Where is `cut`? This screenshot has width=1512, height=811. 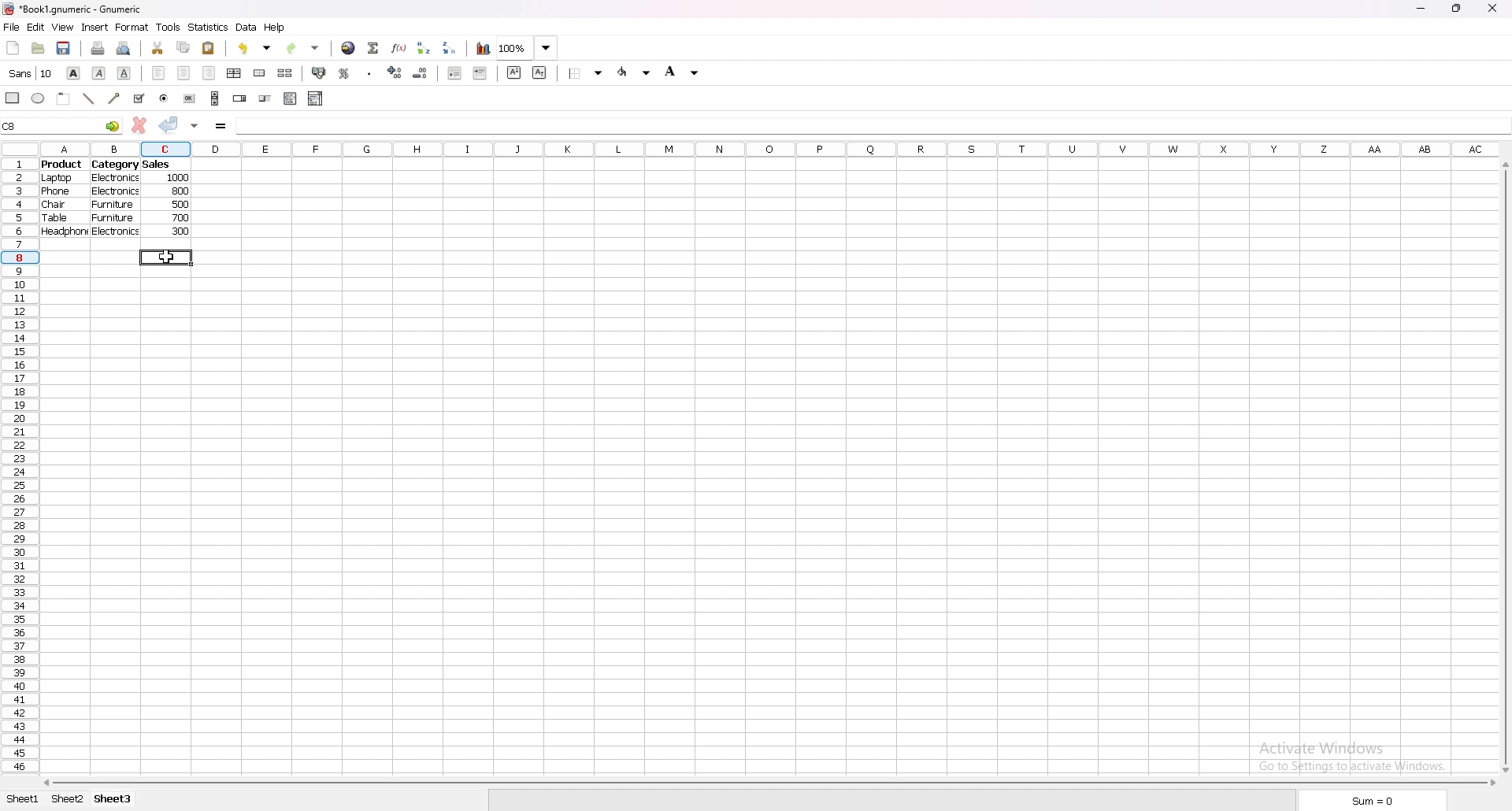
cut is located at coordinates (159, 48).